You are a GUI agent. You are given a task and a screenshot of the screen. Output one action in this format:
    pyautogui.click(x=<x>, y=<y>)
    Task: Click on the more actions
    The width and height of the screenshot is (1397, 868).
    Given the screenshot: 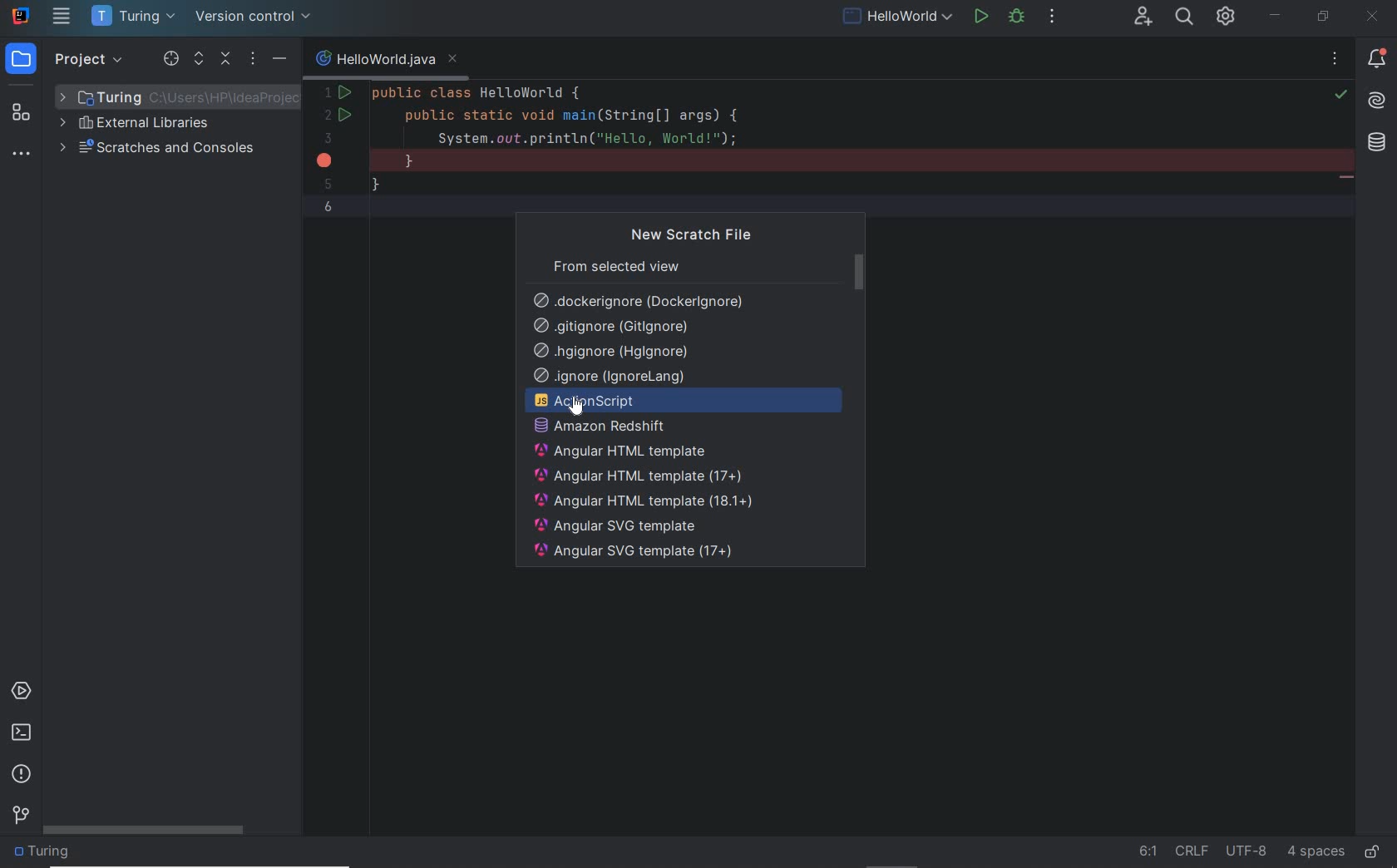 What is the action you would take?
    pyautogui.click(x=1053, y=18)
    